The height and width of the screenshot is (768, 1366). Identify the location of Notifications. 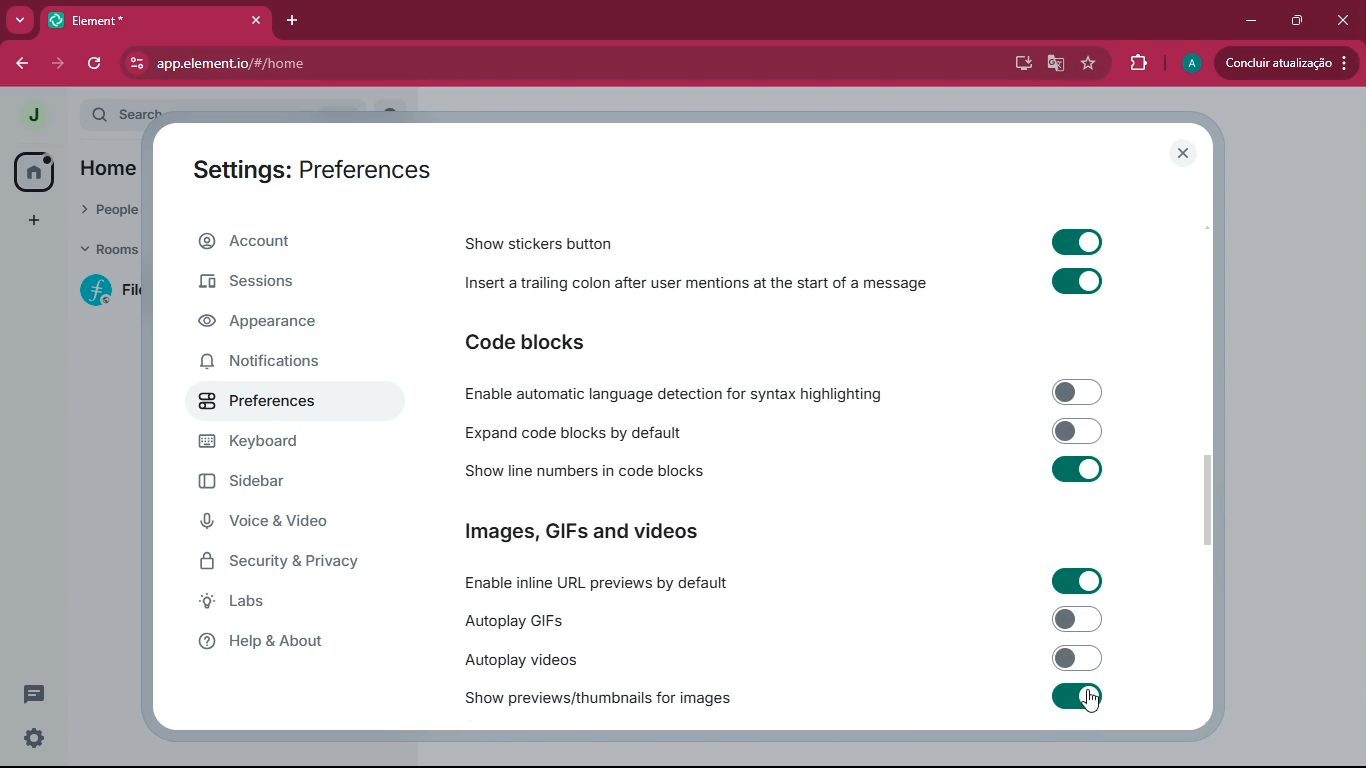
(269, 368).